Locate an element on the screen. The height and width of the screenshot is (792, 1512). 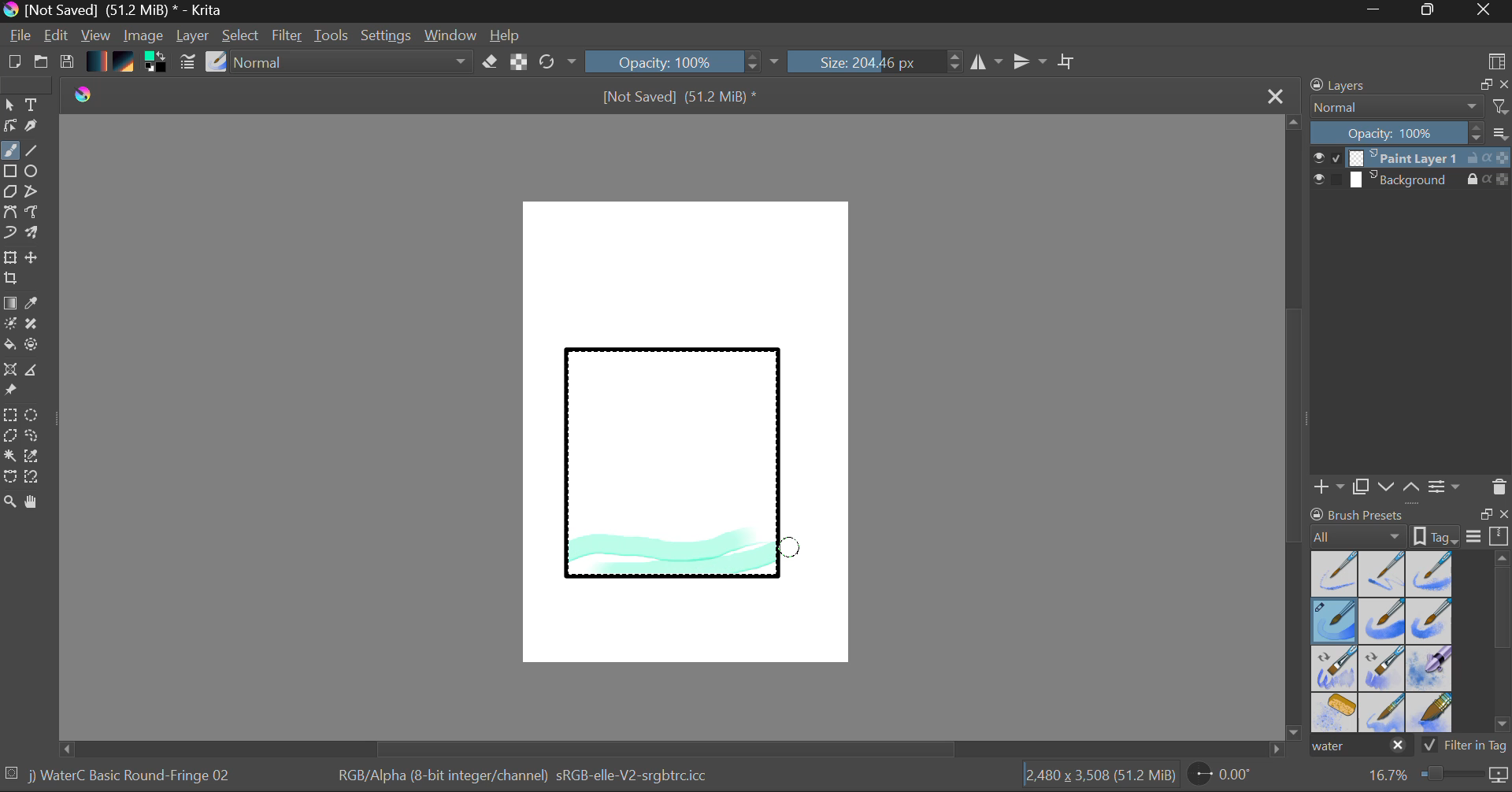
Help is located at coordinates (506, 35).